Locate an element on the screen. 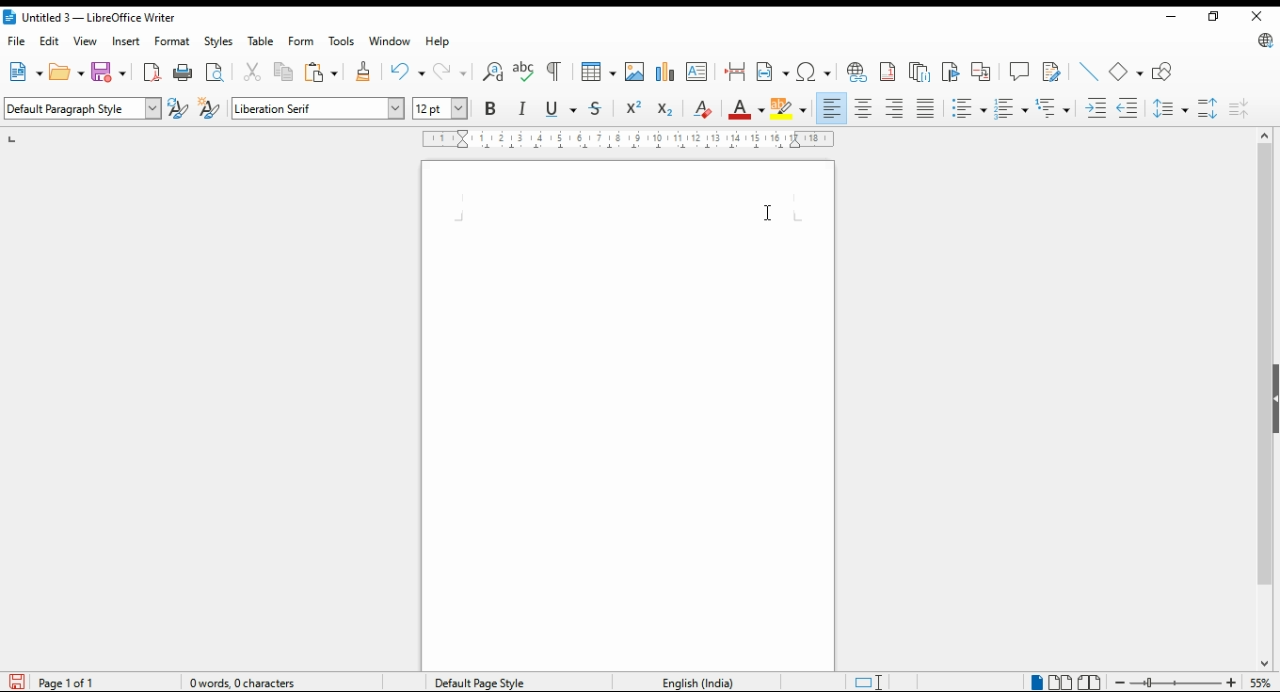 The image size is (1280, 692). format directly as pdf is located at coordinates (153, 72).